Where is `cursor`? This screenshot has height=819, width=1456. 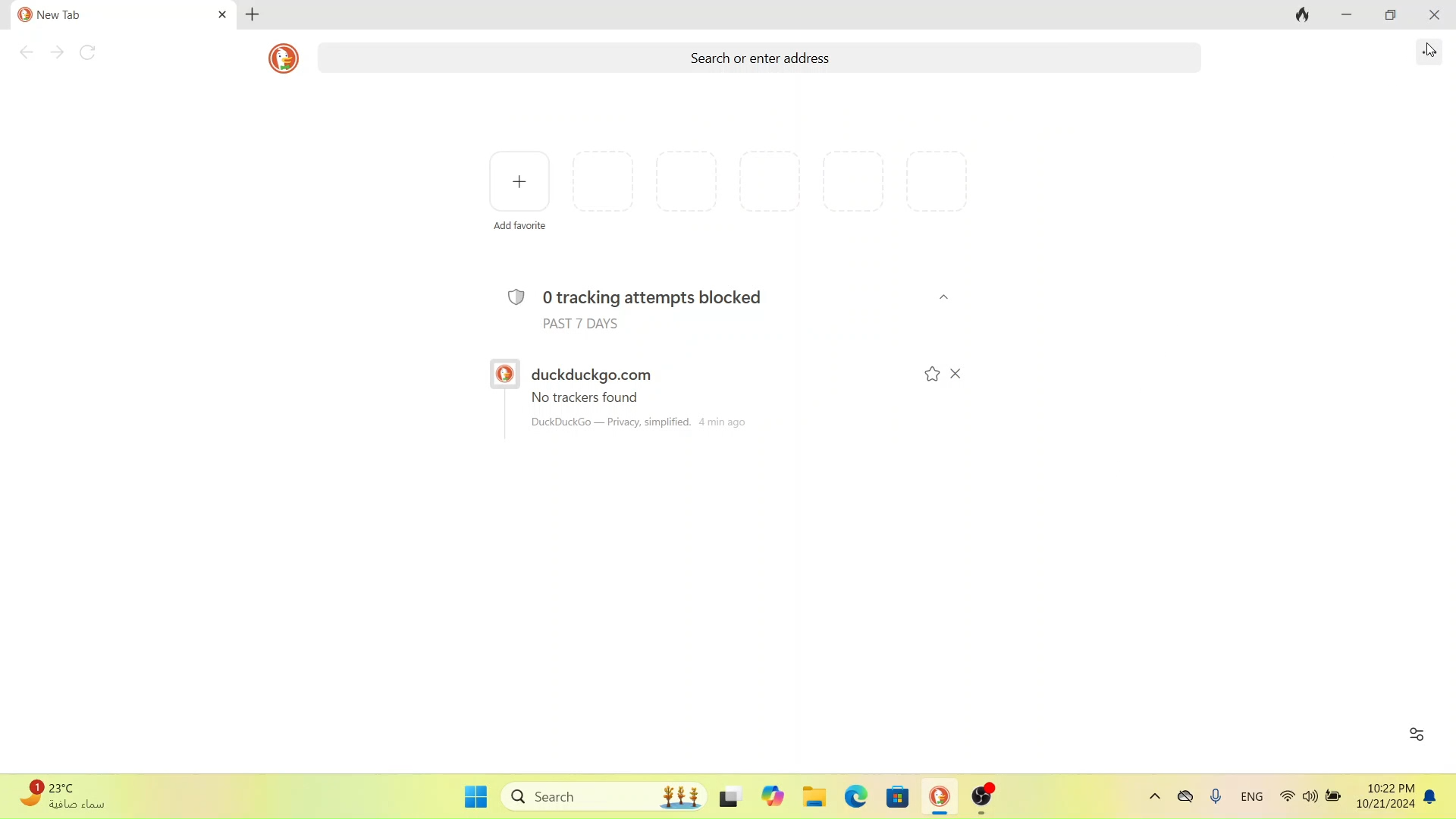
cursor is located at coordinates (1430, 50).